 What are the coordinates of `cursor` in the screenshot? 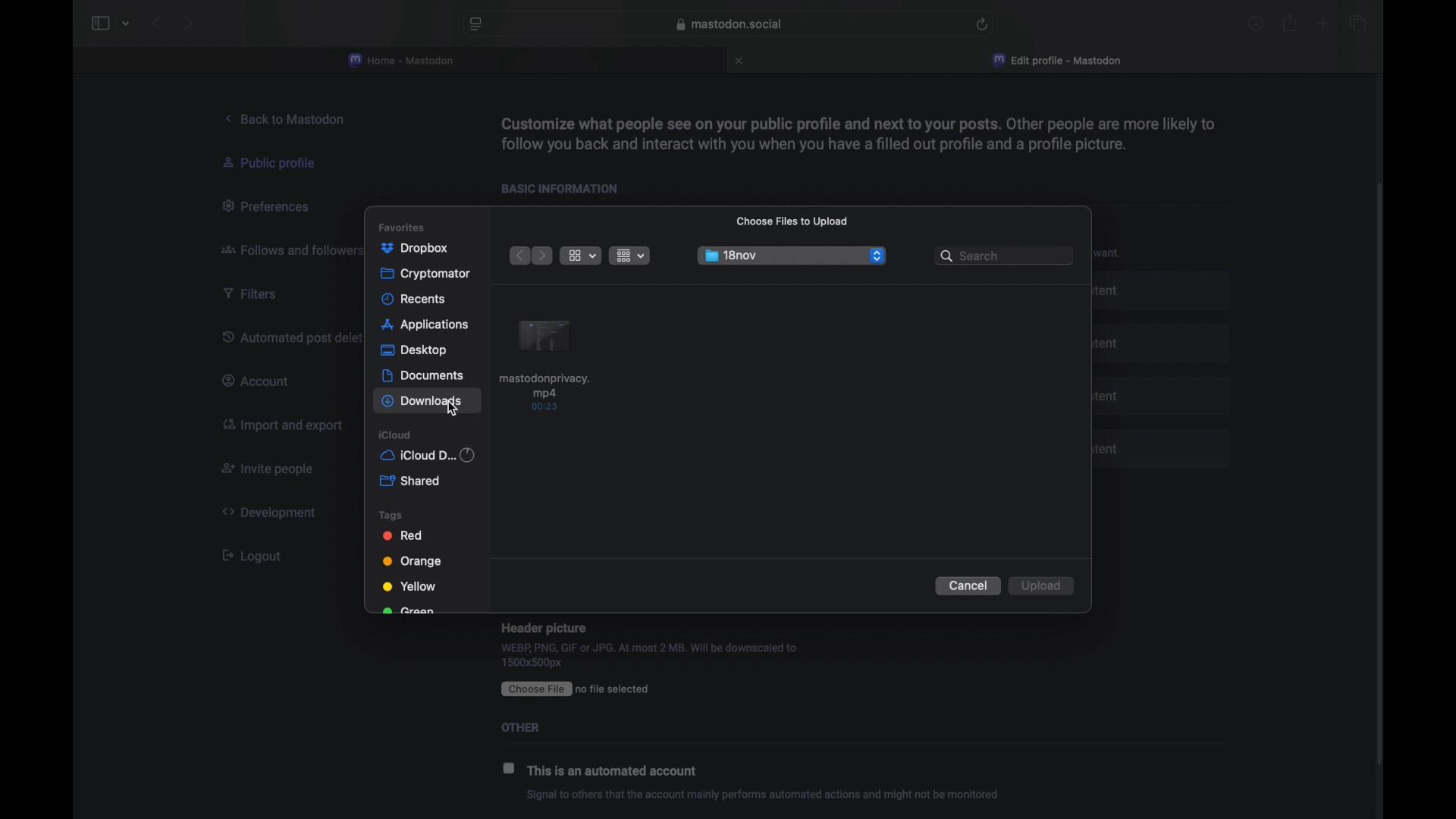 It's located at (457, 411).